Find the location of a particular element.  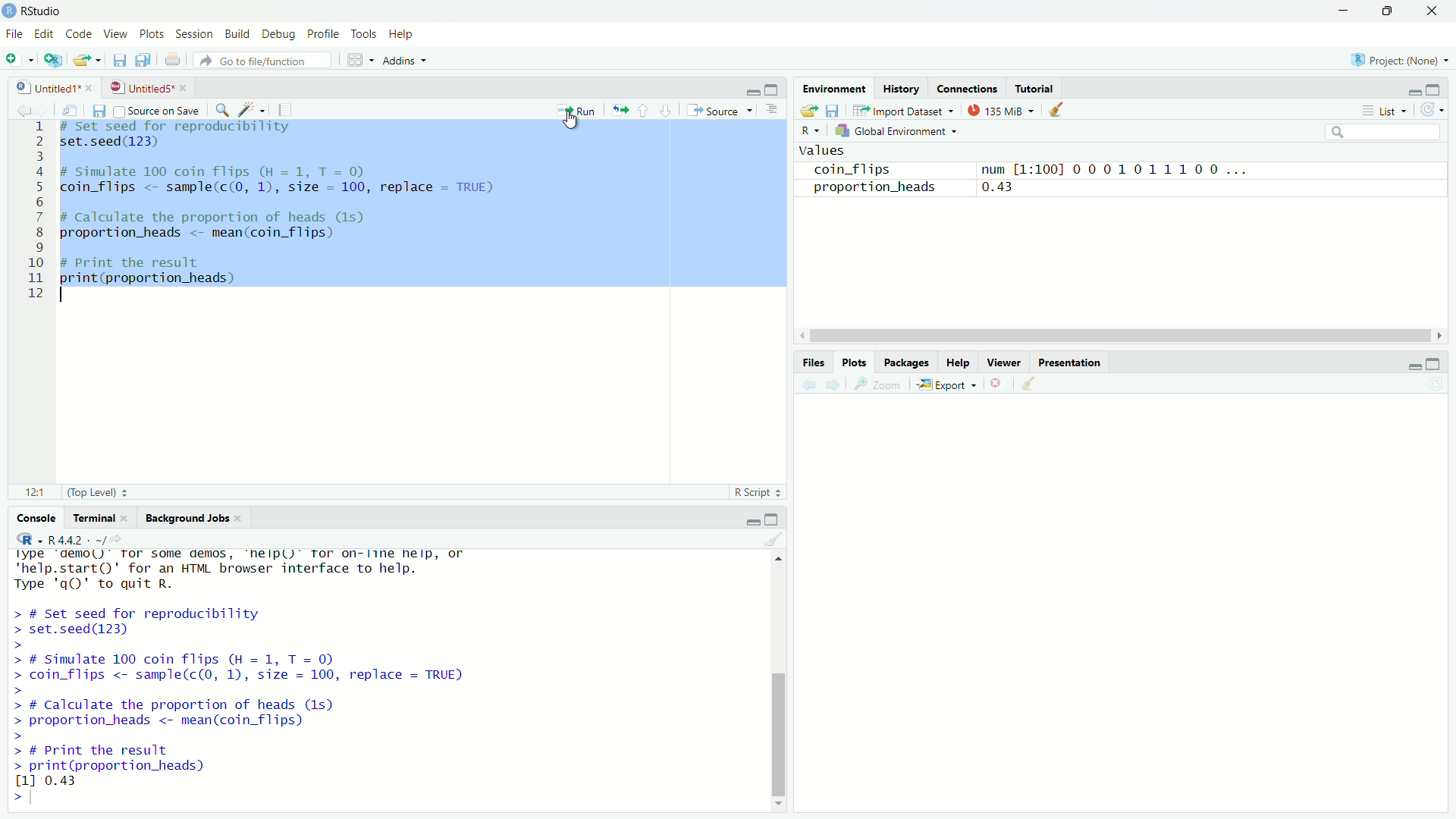

clear console is located at coordinates (775, 541).